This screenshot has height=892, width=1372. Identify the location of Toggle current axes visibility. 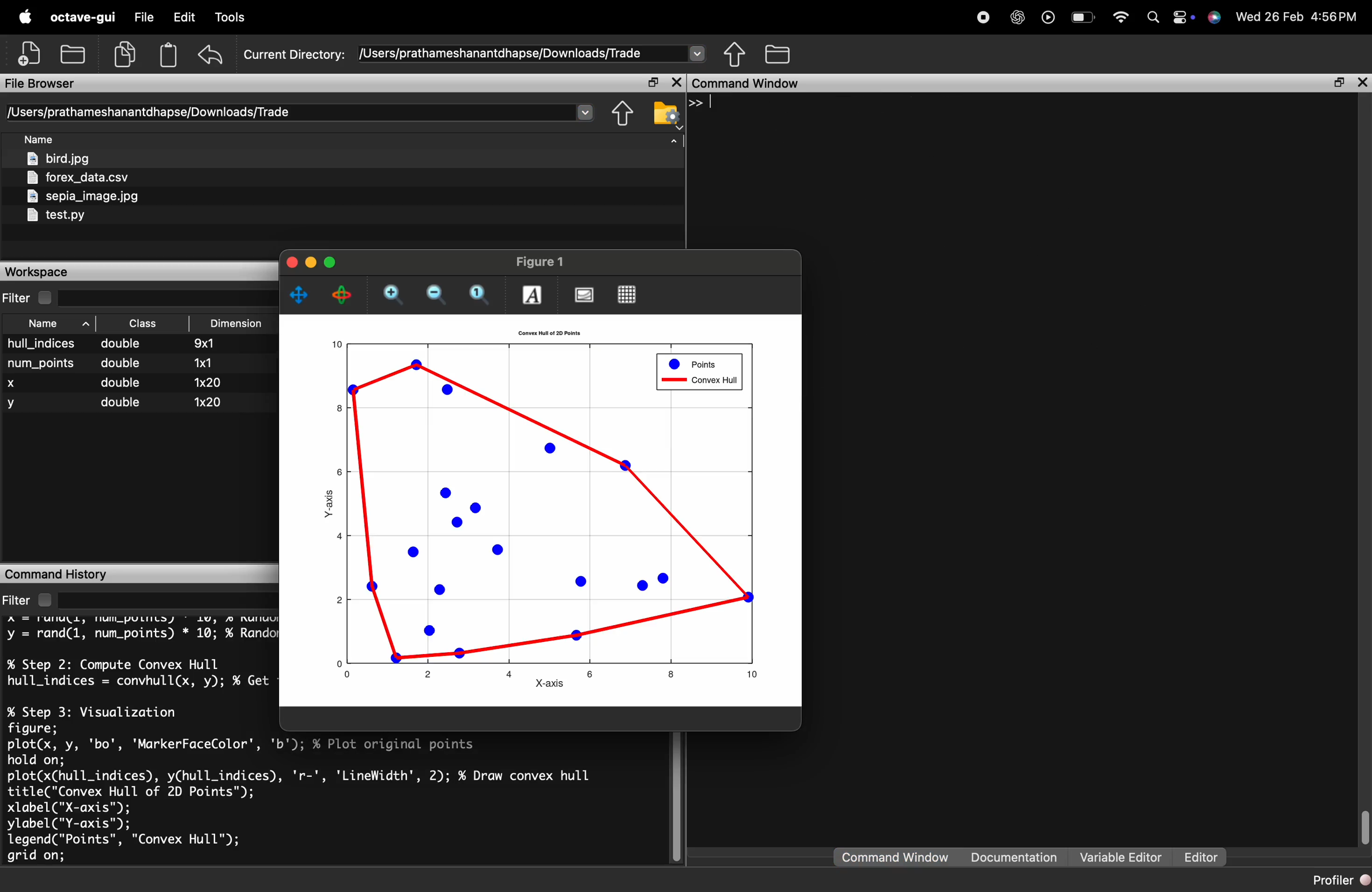
(584, 296).